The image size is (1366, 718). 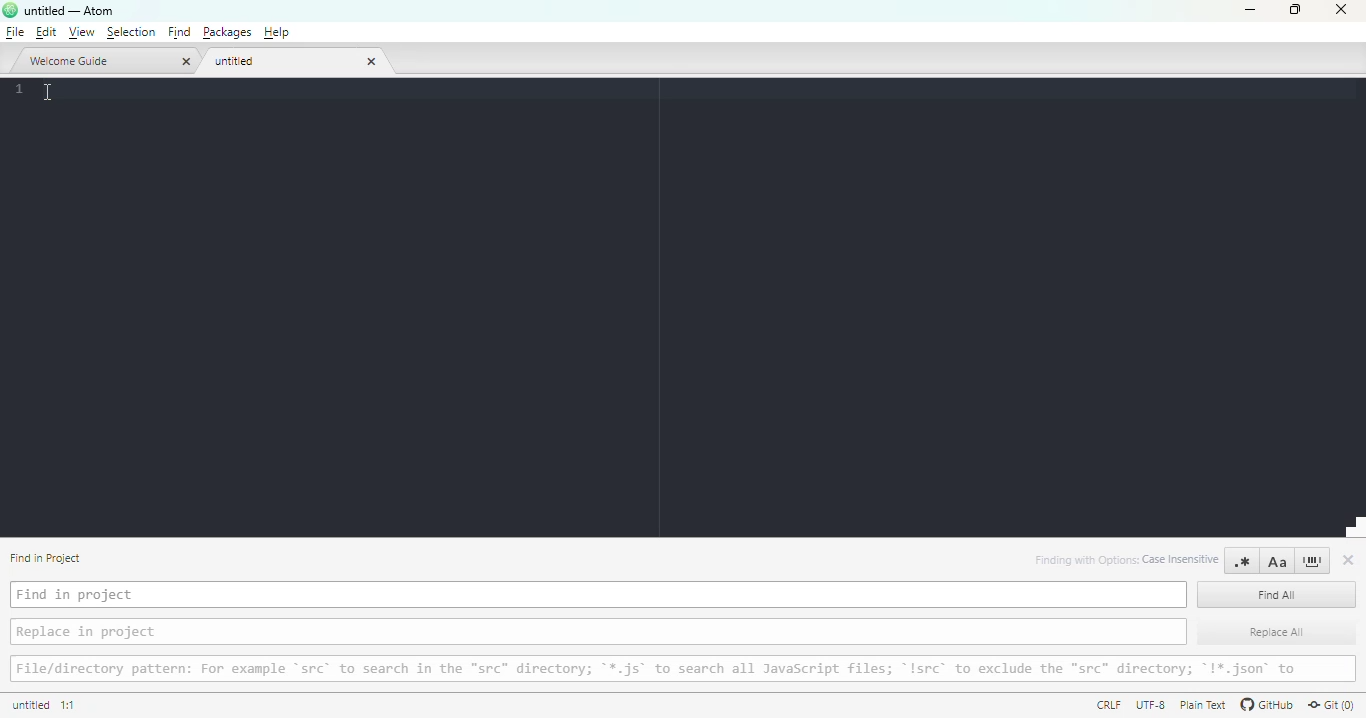 I want to click on file uses CRLF line endings, so click(x=1105, y=705).